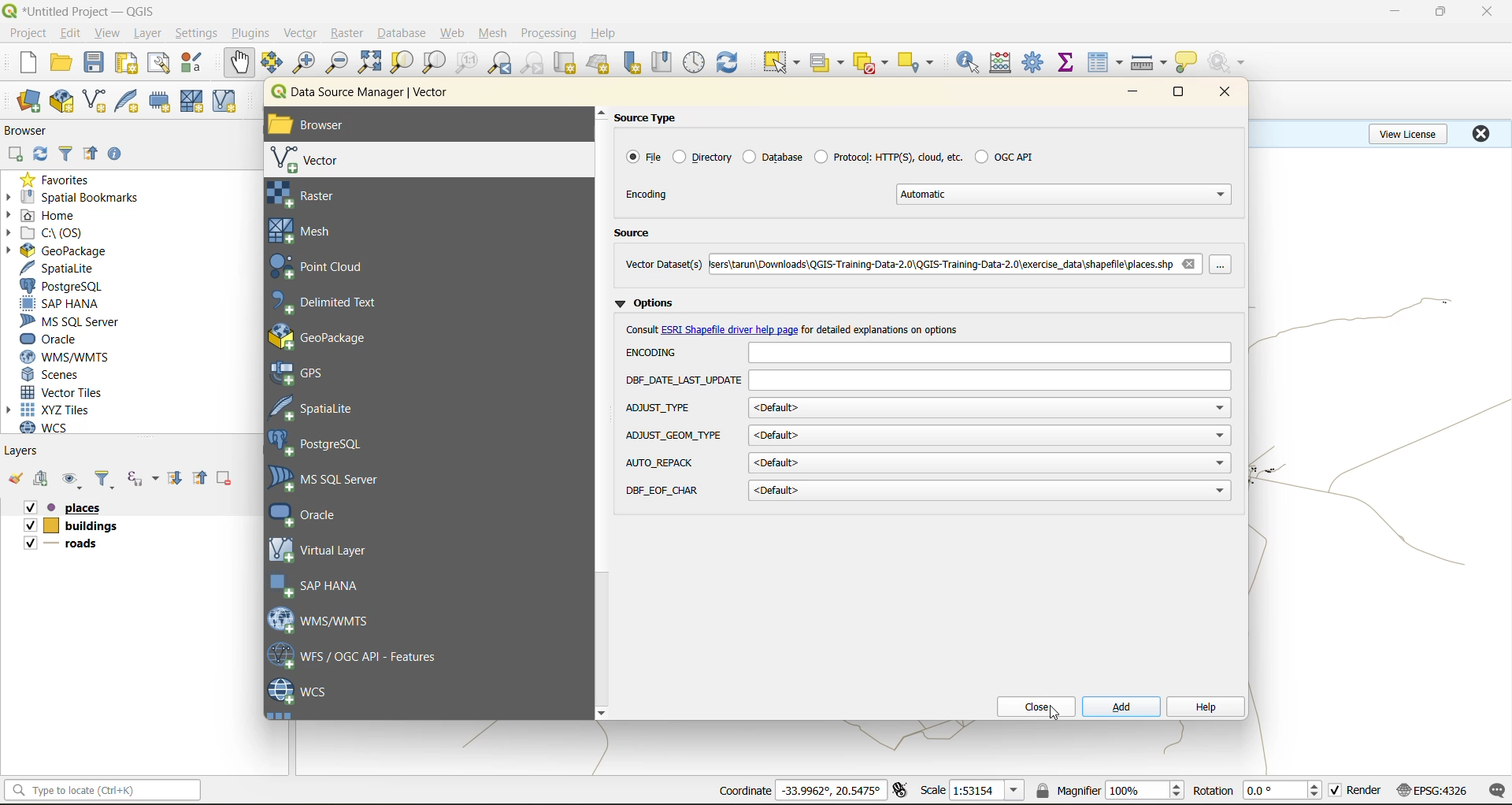  Describe the element at coordinates (888, 155) in the screenshot. I see `protocol:https` at that location.